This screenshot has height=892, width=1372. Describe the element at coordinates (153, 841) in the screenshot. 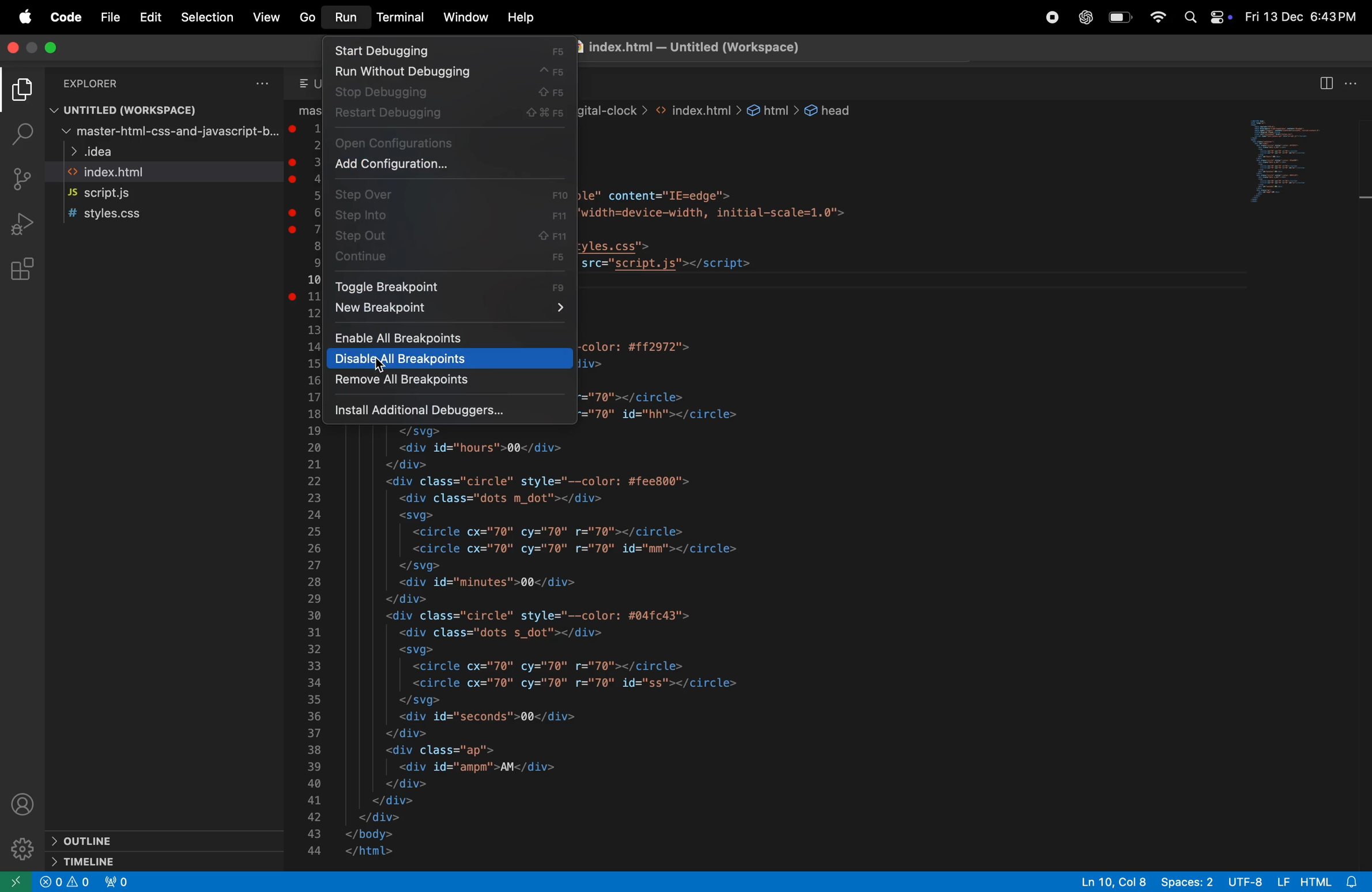

I see `outline` at that location.